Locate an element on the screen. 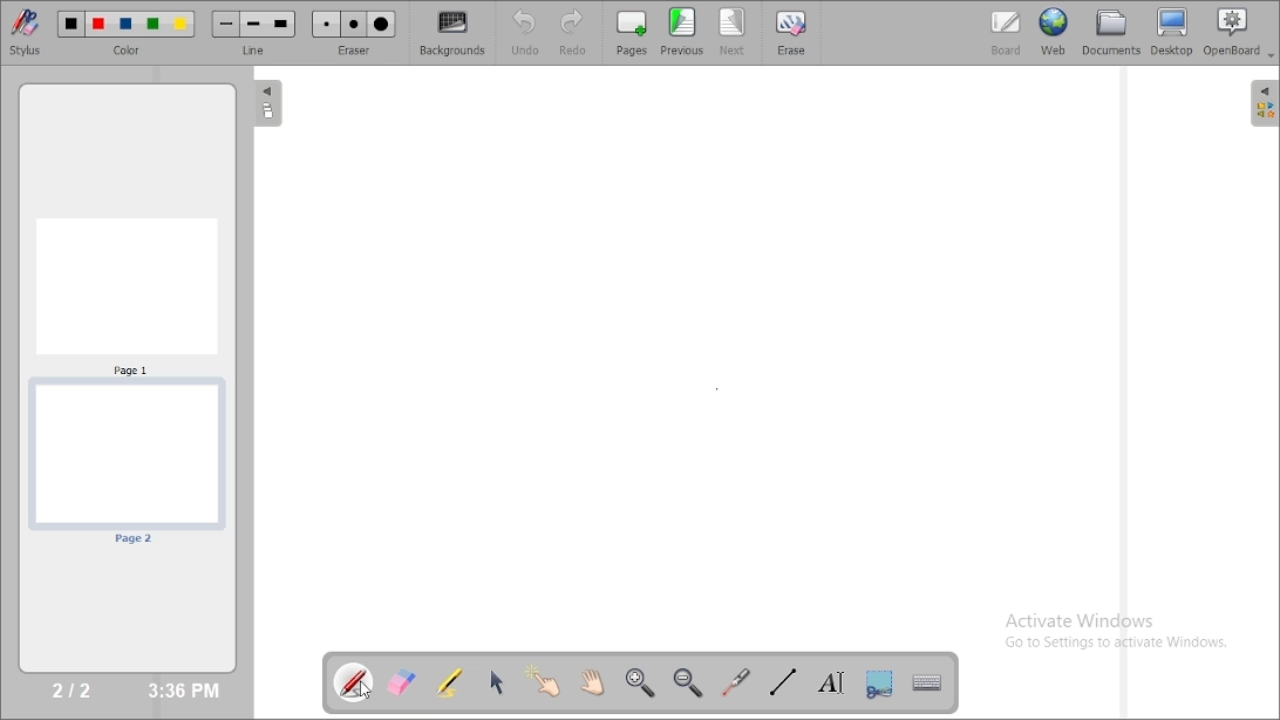  draw lines is located at coordinates (782, 681).